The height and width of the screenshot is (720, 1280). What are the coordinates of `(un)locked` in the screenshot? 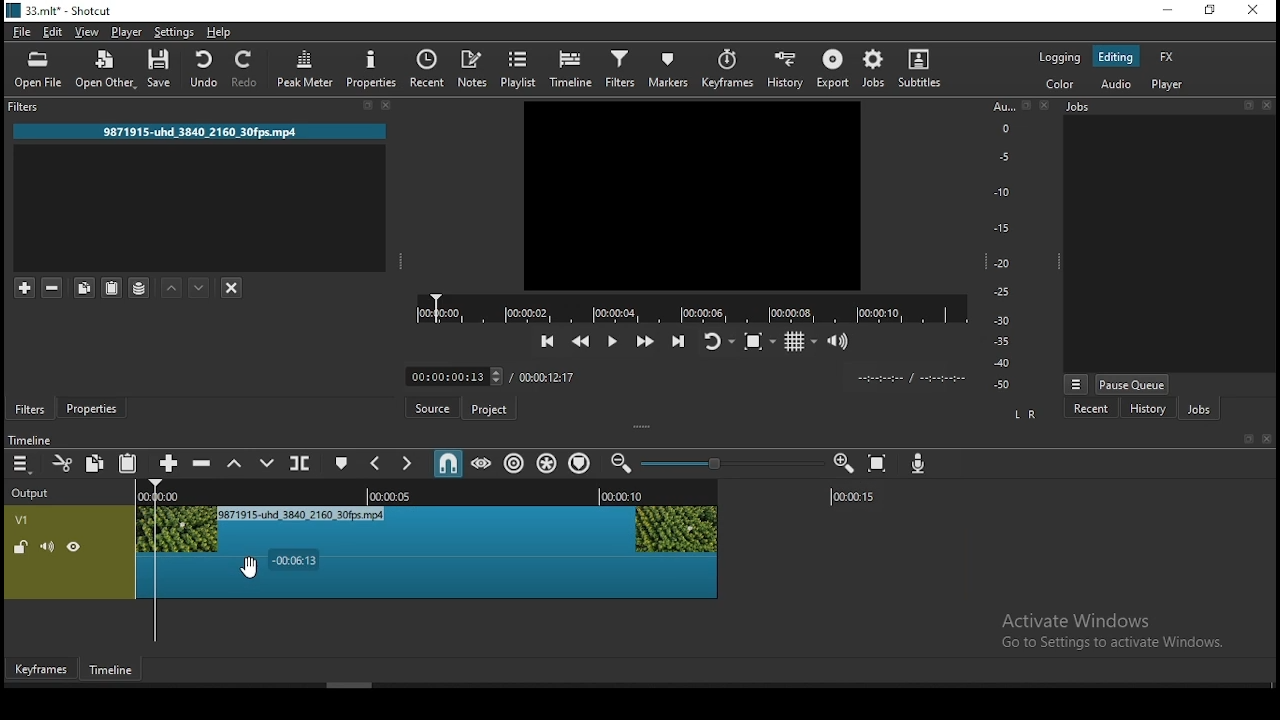 It's located at (22, 548).